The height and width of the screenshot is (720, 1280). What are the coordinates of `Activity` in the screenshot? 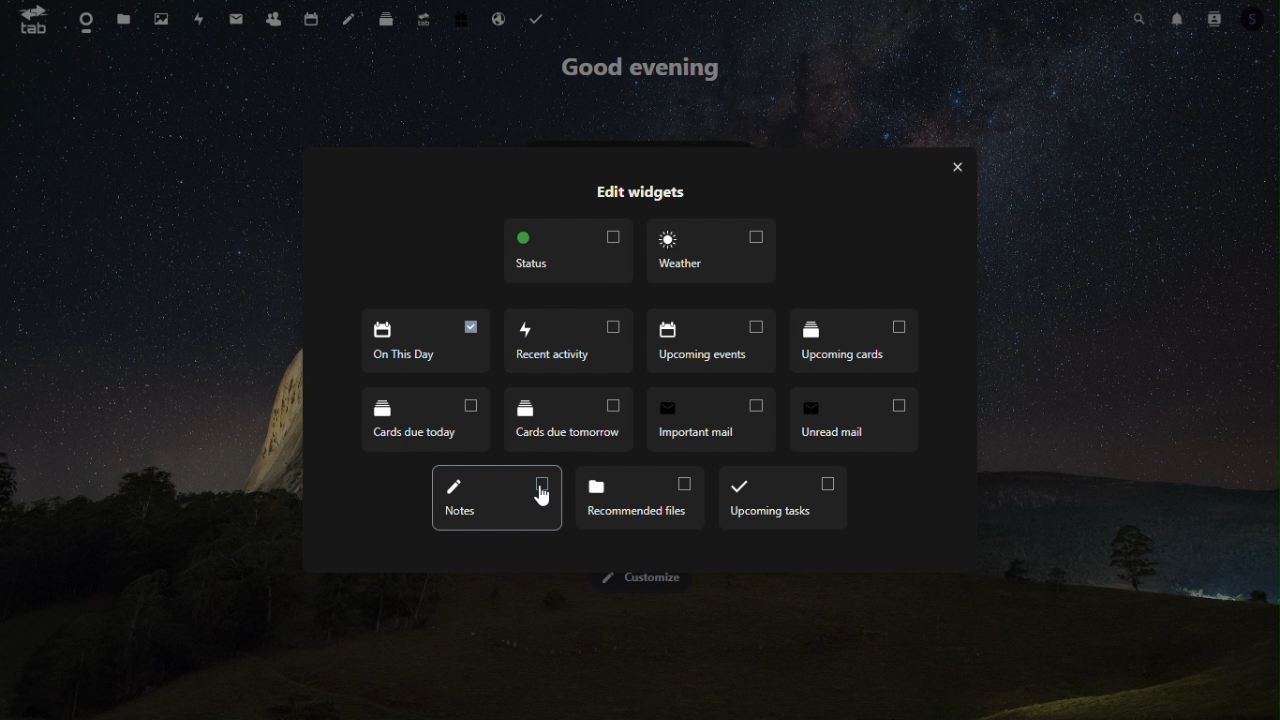 It's located at (201, 19).